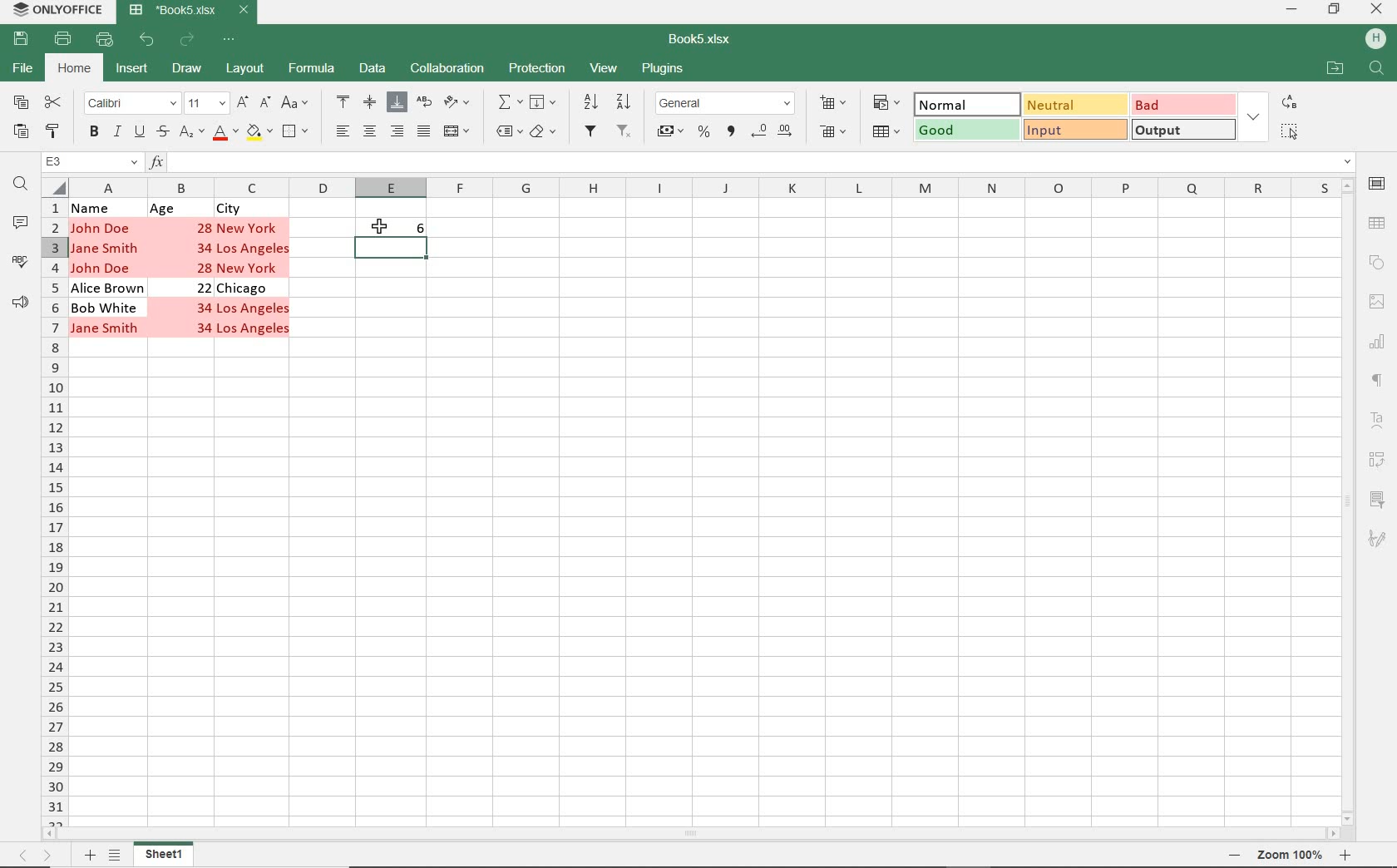  Describe the element at coordinates (93, 208) in the screenshot. I see `Name` at that location.